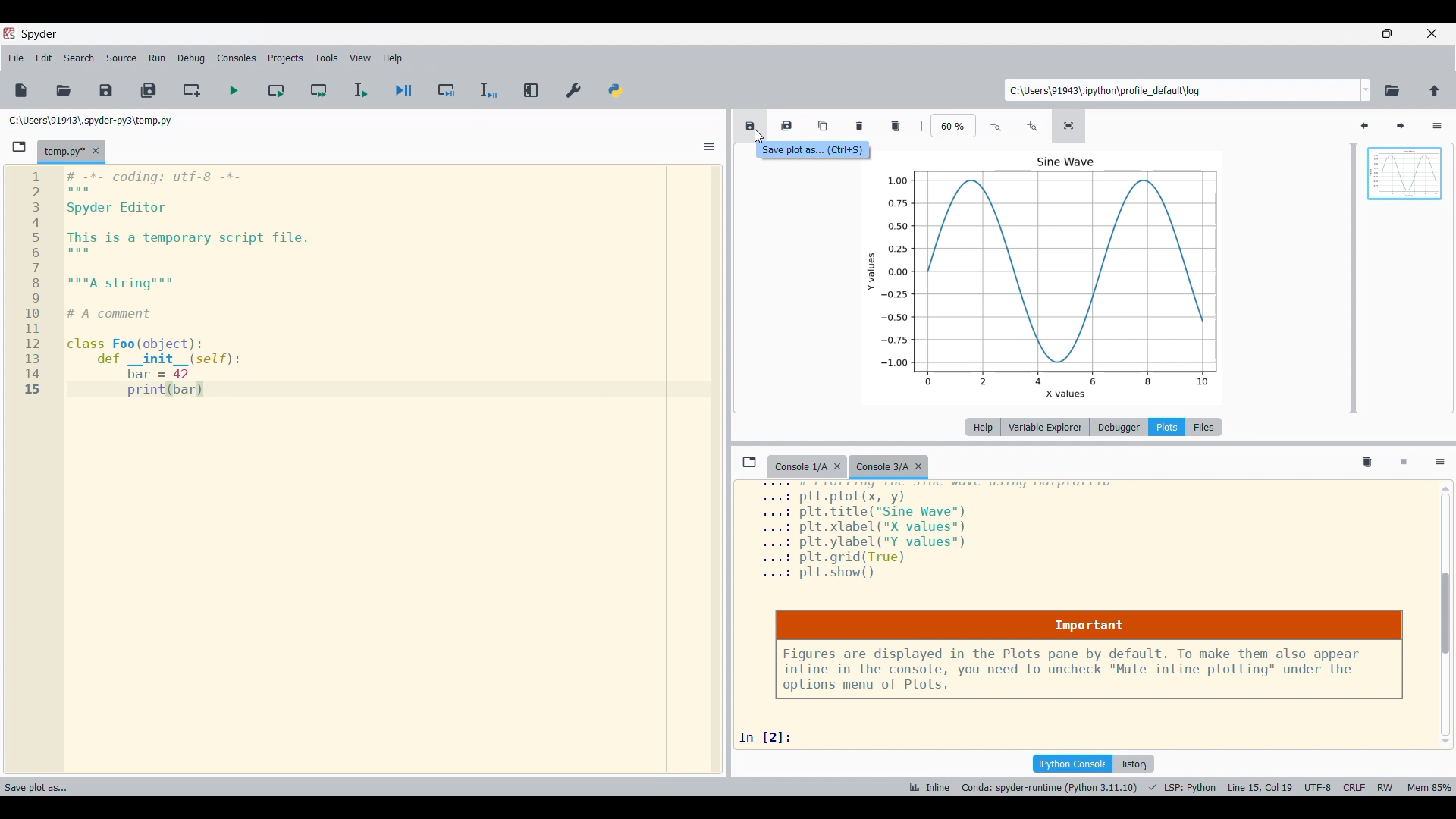  What do you see at coordinates (106, 91) in the screenshot?
I see `Save file` at bounding box center [106, 91].